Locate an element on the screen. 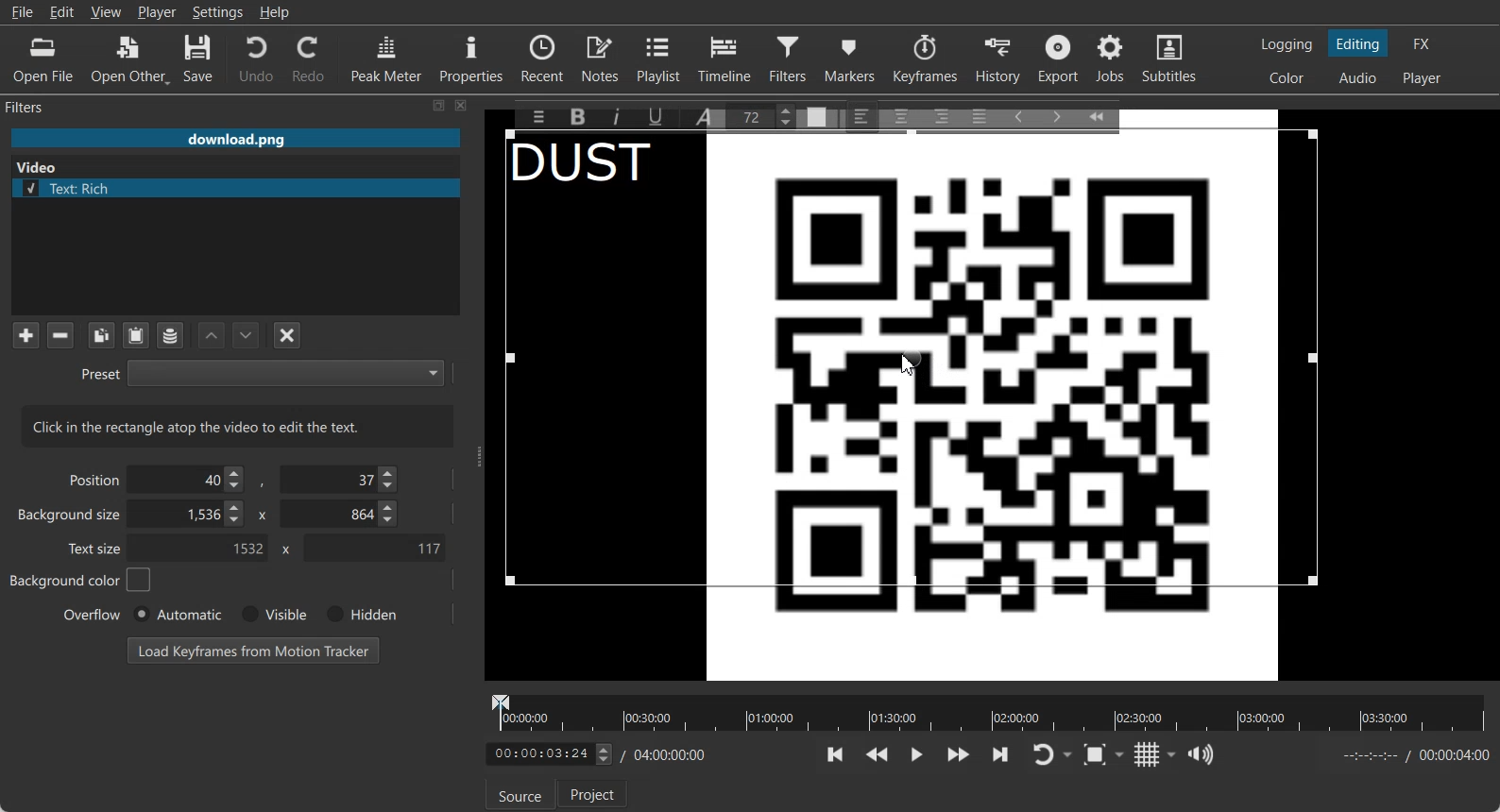 This screenshot has width=1500, height=812. Toggle Zoom is located at coordinates (1097, 755).